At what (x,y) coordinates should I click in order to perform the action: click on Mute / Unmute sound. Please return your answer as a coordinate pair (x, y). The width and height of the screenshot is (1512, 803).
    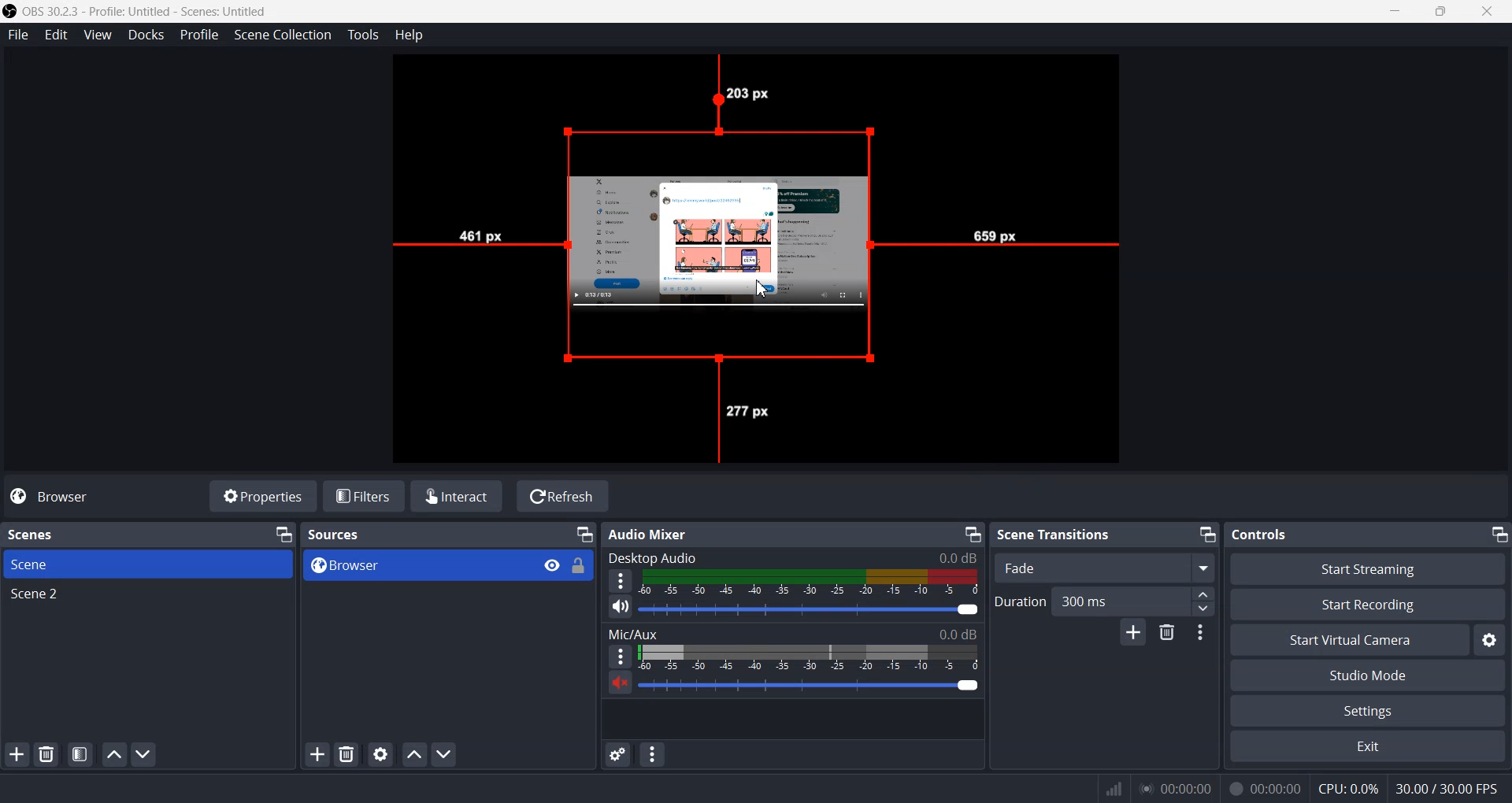
    Looking at the image, I should click on (614, 688).